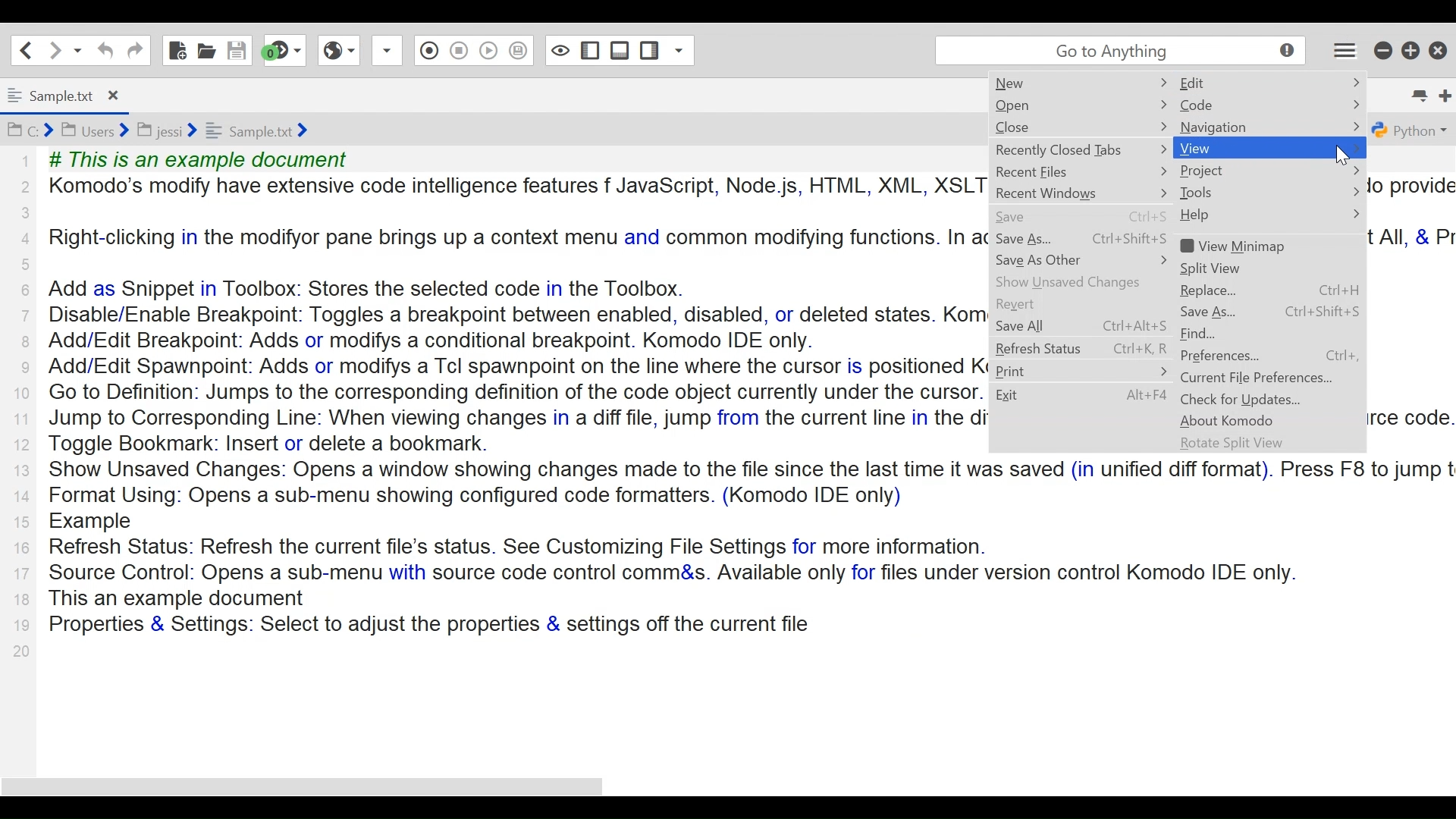 The height and width of the screenshot is (819, 1456). What do you see at coordinates (26, 49) in the screenshot?
I see `Go back one location` at bounding box center [26, 49].